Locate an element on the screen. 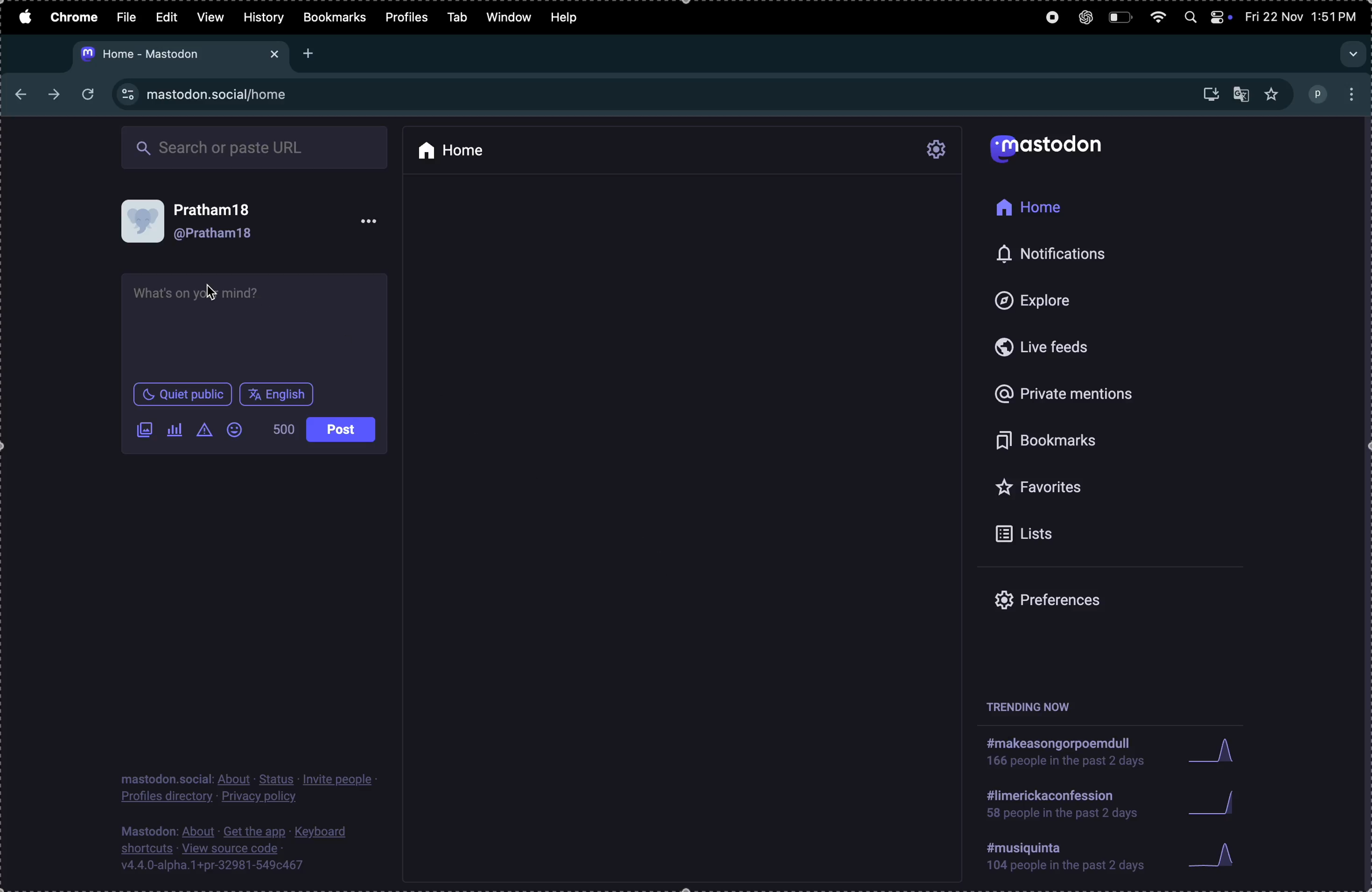 Image resolution: width=1372 pixels, height=892 pixels. chatgpt is located at coordinates (1083, 17).